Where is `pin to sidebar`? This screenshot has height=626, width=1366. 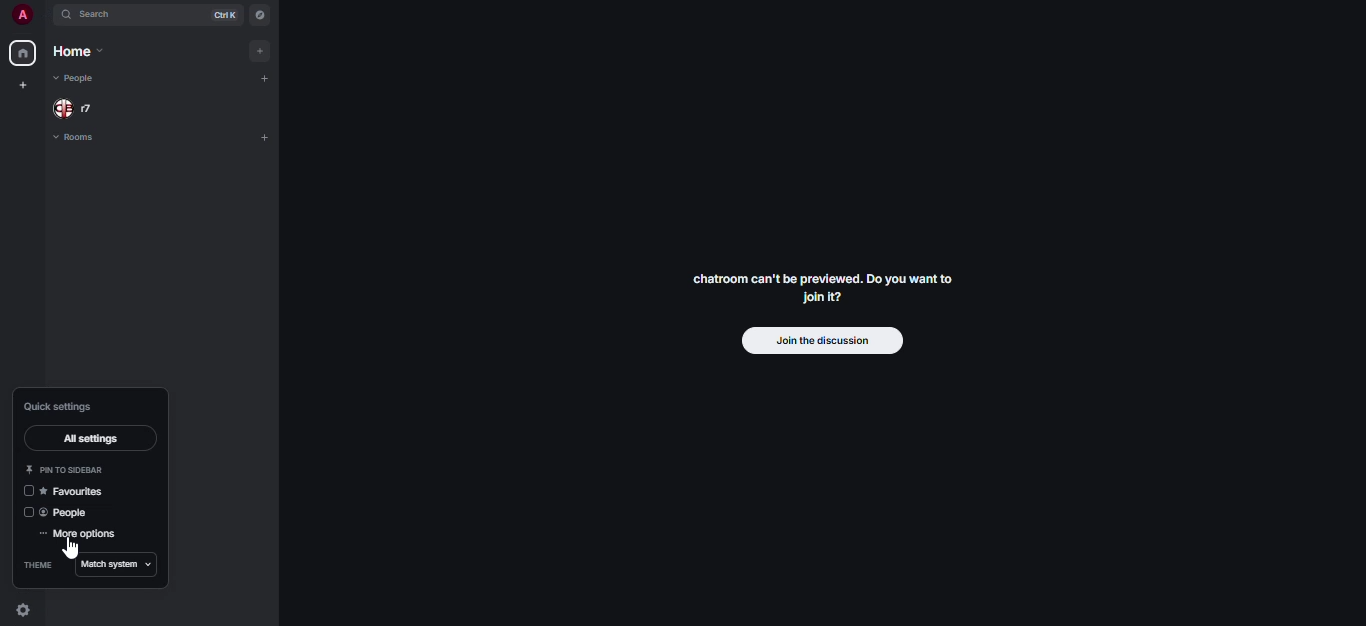 pin to sidebar is located at coordinates (61, 469).